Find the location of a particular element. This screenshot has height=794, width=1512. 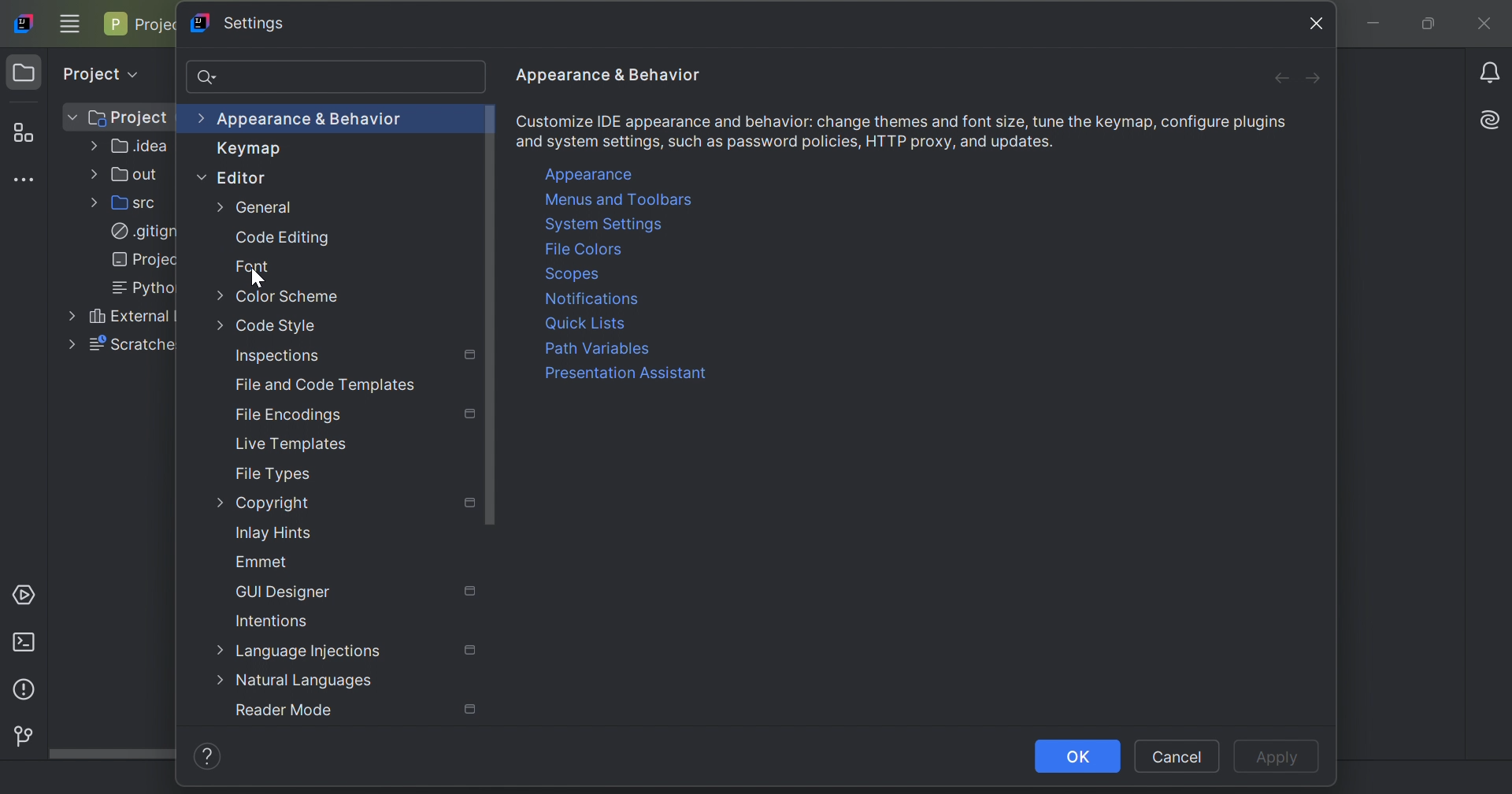

Settings marked with this icon are only applied to the current project. Non-marked settings are applied to all projects. is located at coordinates (470, 590).